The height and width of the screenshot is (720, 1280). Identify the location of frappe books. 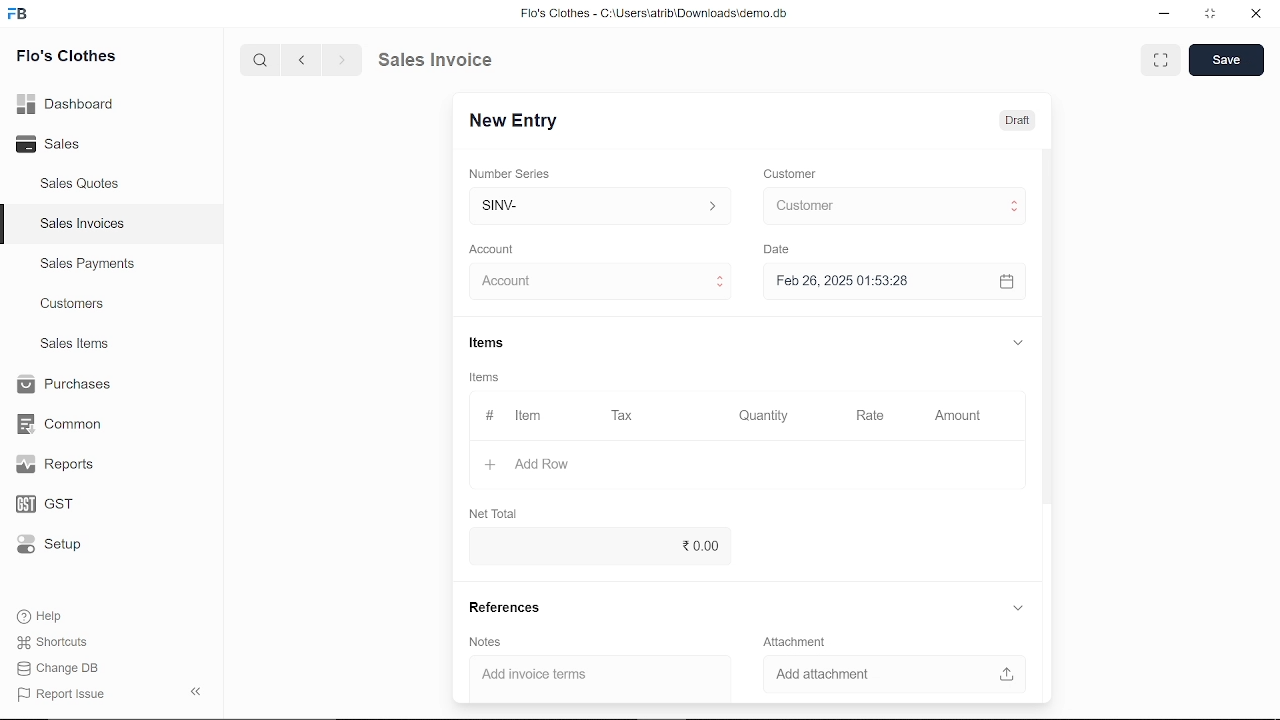
(18, 16).